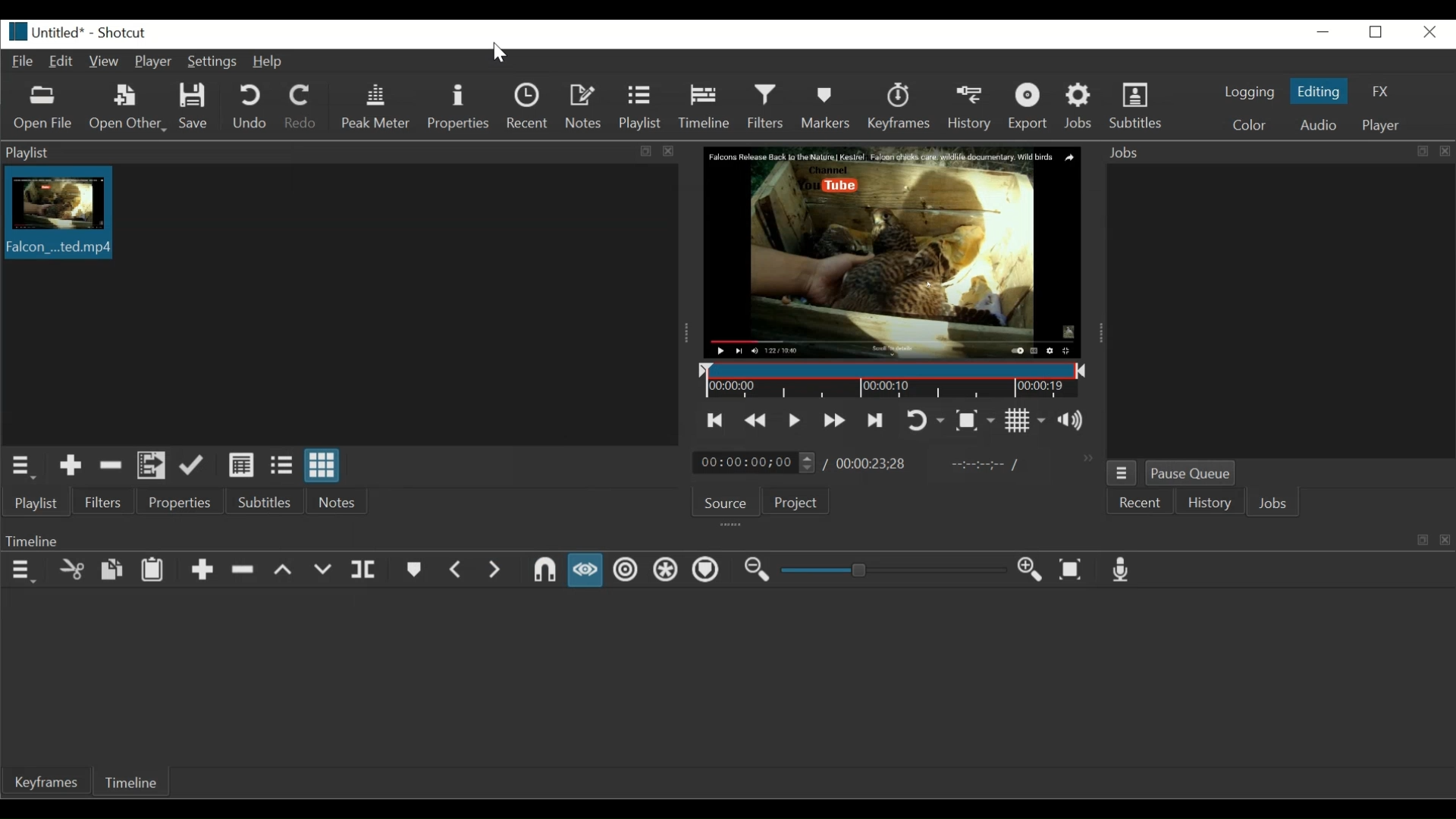  I want to click on Timeline, so click(131, 783).